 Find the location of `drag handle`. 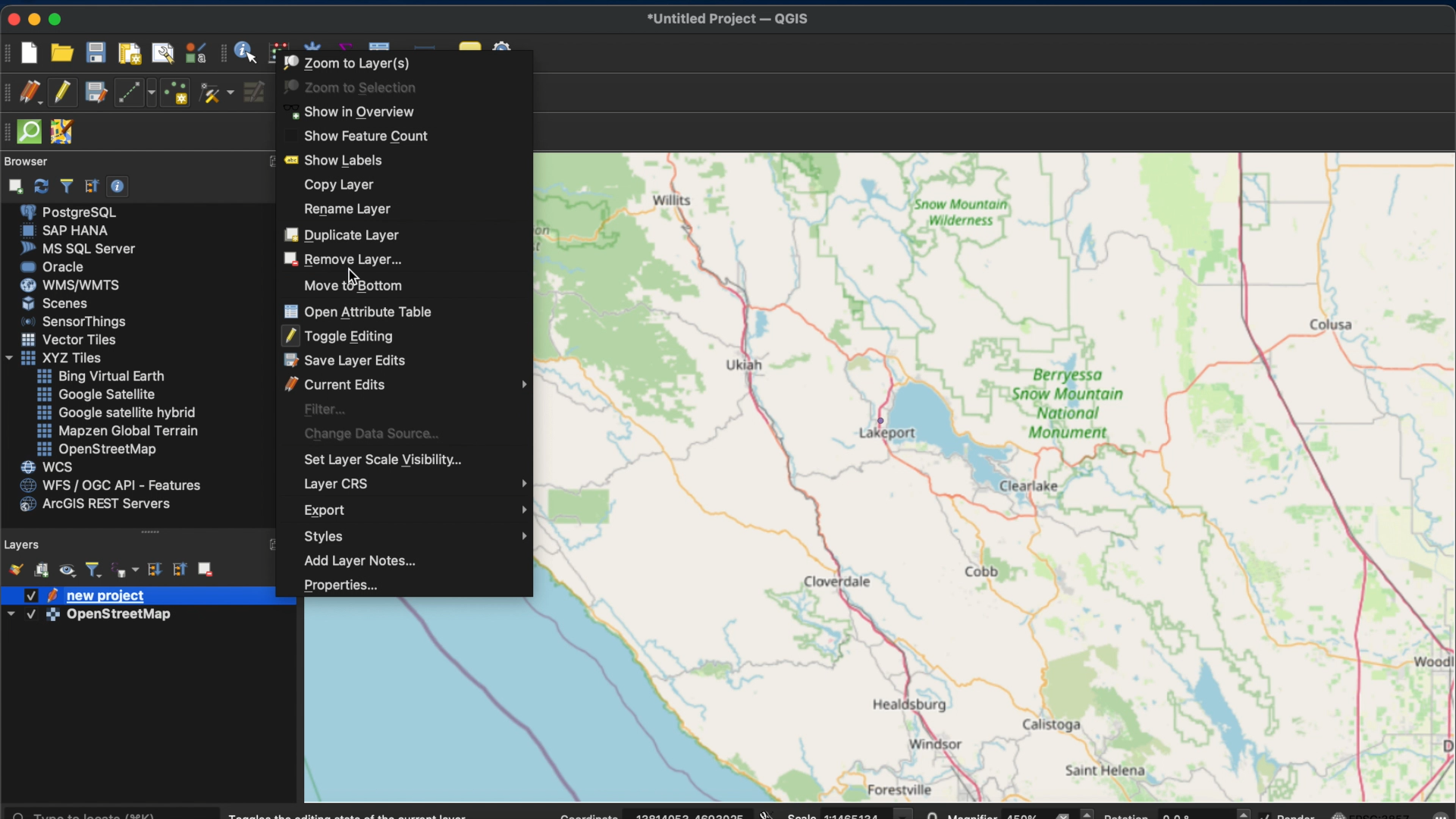

drag handle is located at coordinates (154, 533).